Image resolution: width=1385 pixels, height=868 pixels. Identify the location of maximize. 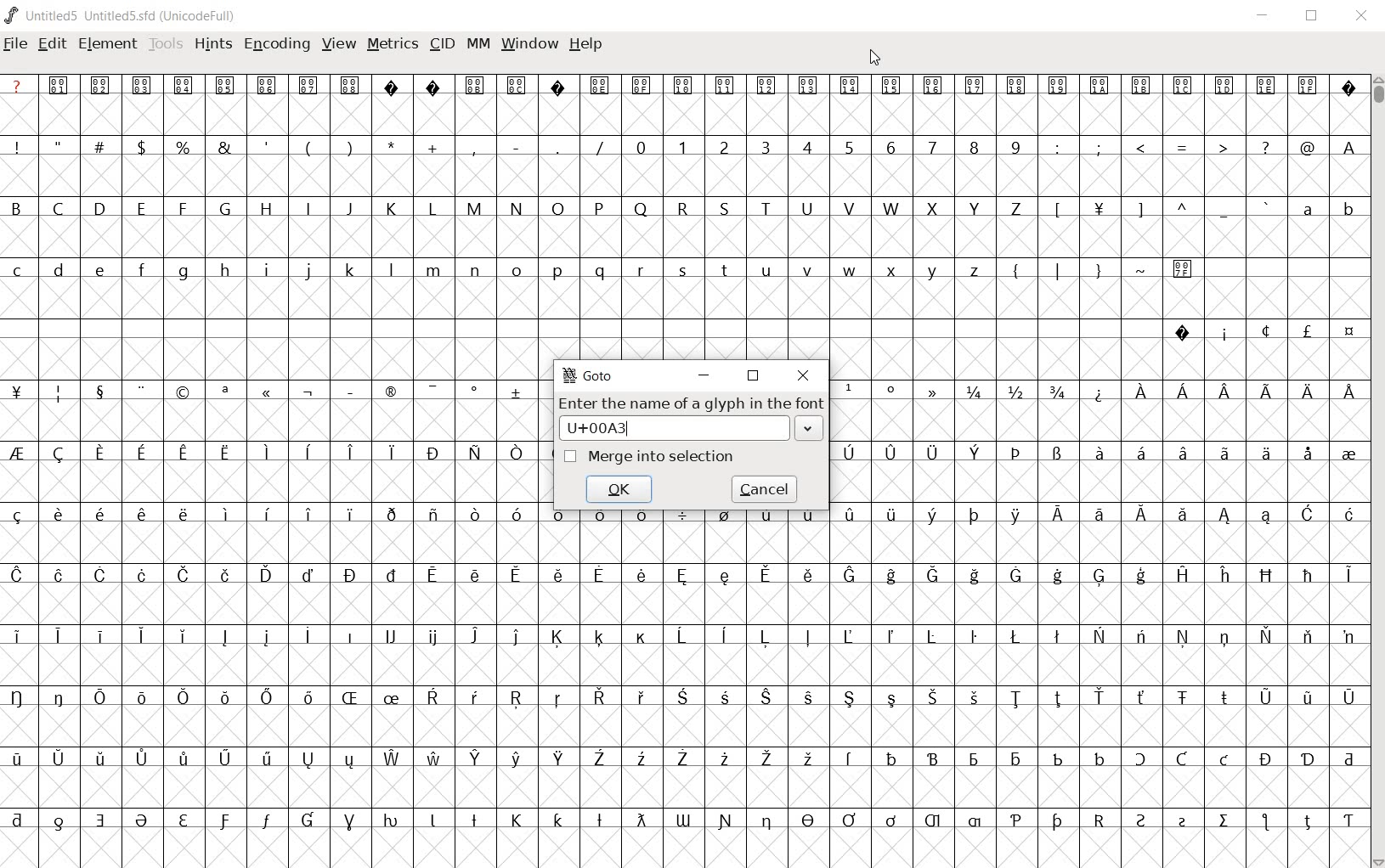
(1310, 17).